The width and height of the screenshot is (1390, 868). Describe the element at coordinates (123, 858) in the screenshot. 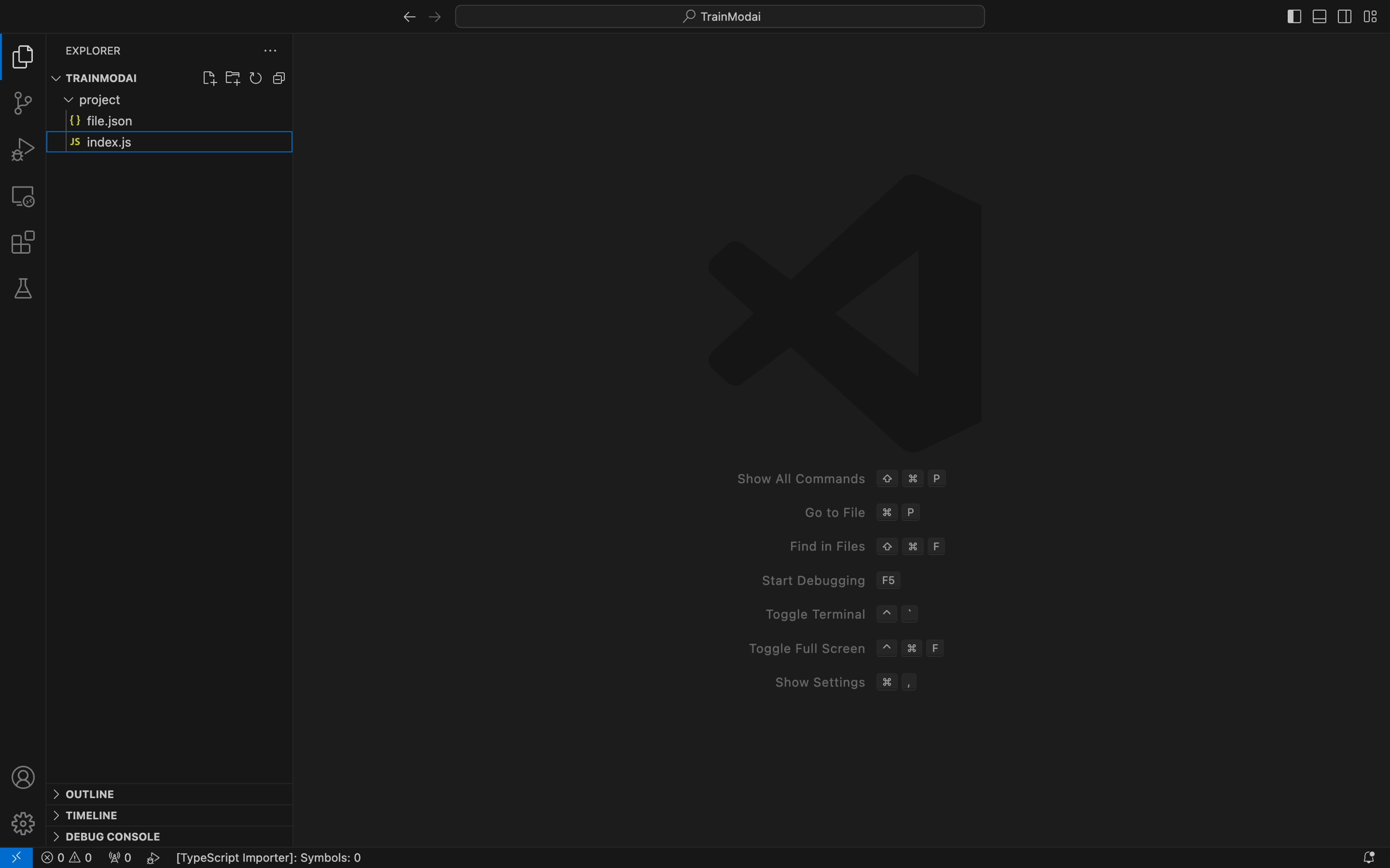

I see `0` at that location.